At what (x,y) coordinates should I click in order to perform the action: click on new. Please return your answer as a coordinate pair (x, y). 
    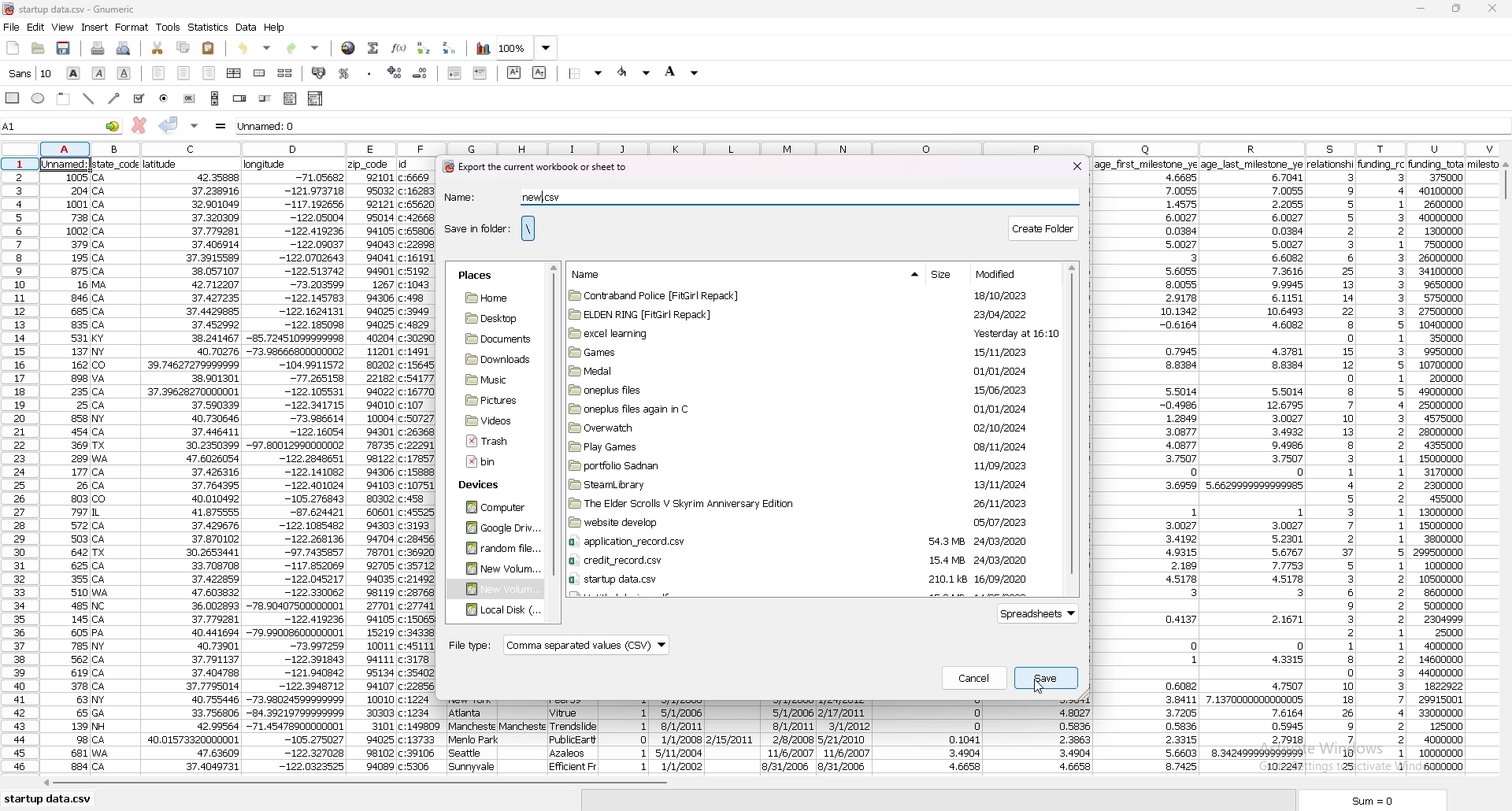
    Looking at the image, I should click on (13, 49).